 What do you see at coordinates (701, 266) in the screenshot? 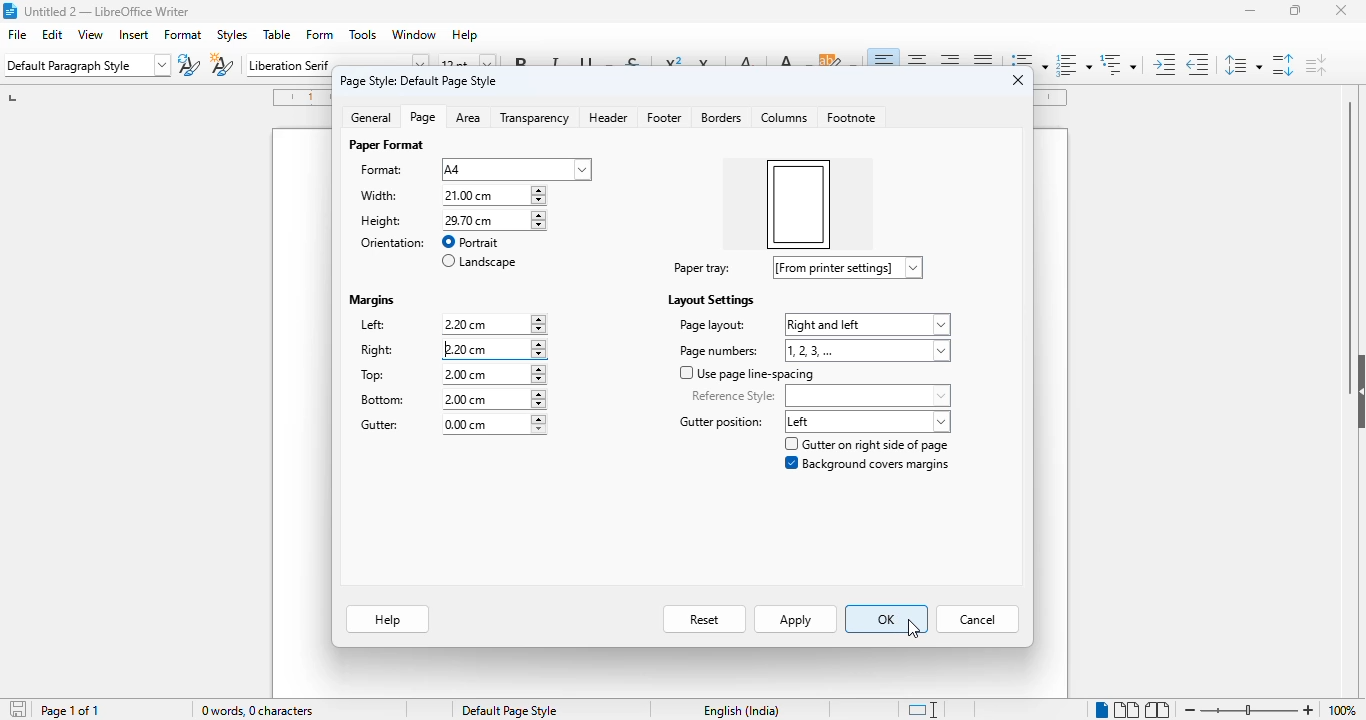
I see `paper tray` at bounding box center [701, 266].